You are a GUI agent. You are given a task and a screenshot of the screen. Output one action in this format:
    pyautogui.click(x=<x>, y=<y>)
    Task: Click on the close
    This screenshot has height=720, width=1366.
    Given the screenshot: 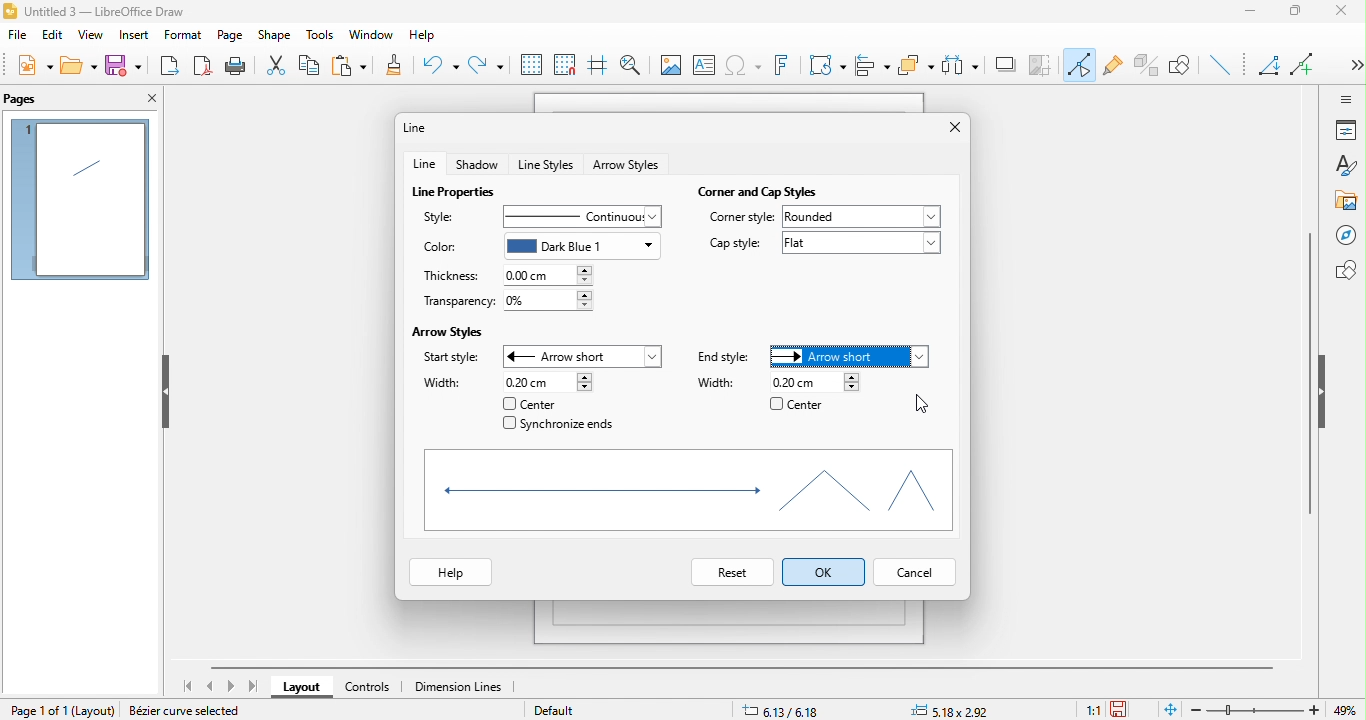 What is the action you would take?
    pyautogui.click(x=947, y=128)
    